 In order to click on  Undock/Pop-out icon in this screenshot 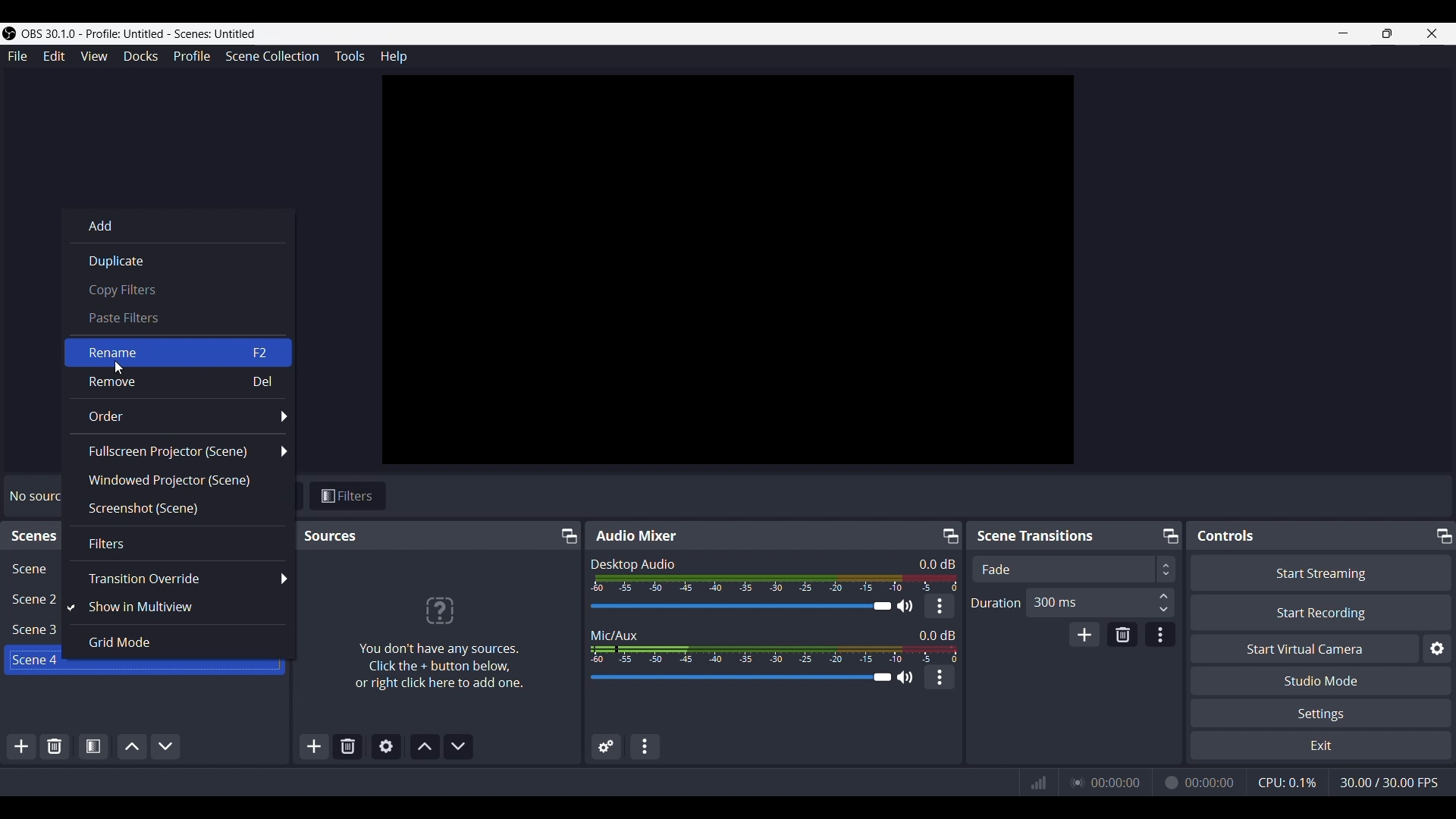, I will do `click(566, 536)`.